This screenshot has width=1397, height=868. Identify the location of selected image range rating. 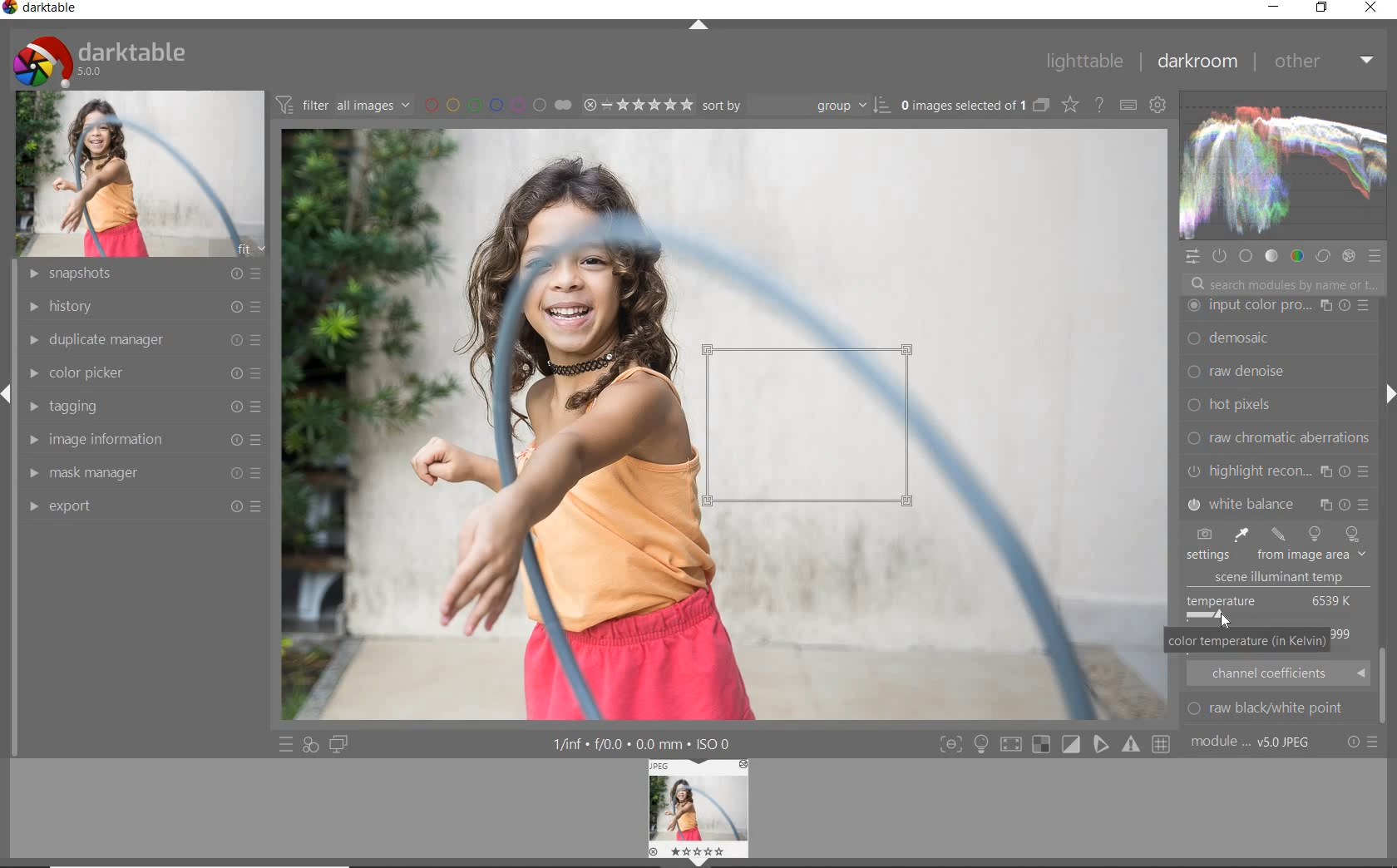
(637, 103).